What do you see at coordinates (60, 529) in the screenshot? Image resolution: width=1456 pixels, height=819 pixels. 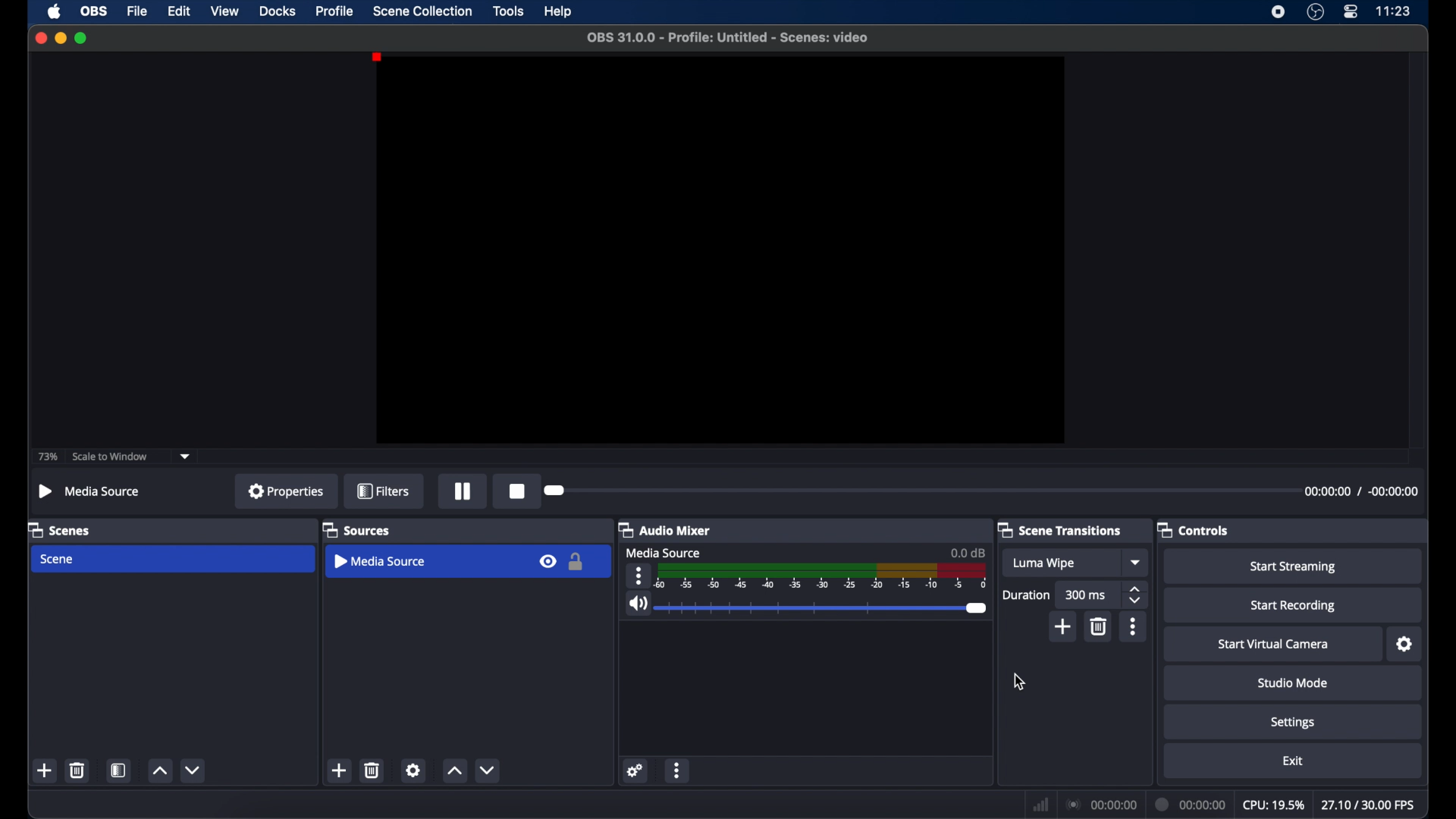 I see `scenes` at bounding box center [60, 529].